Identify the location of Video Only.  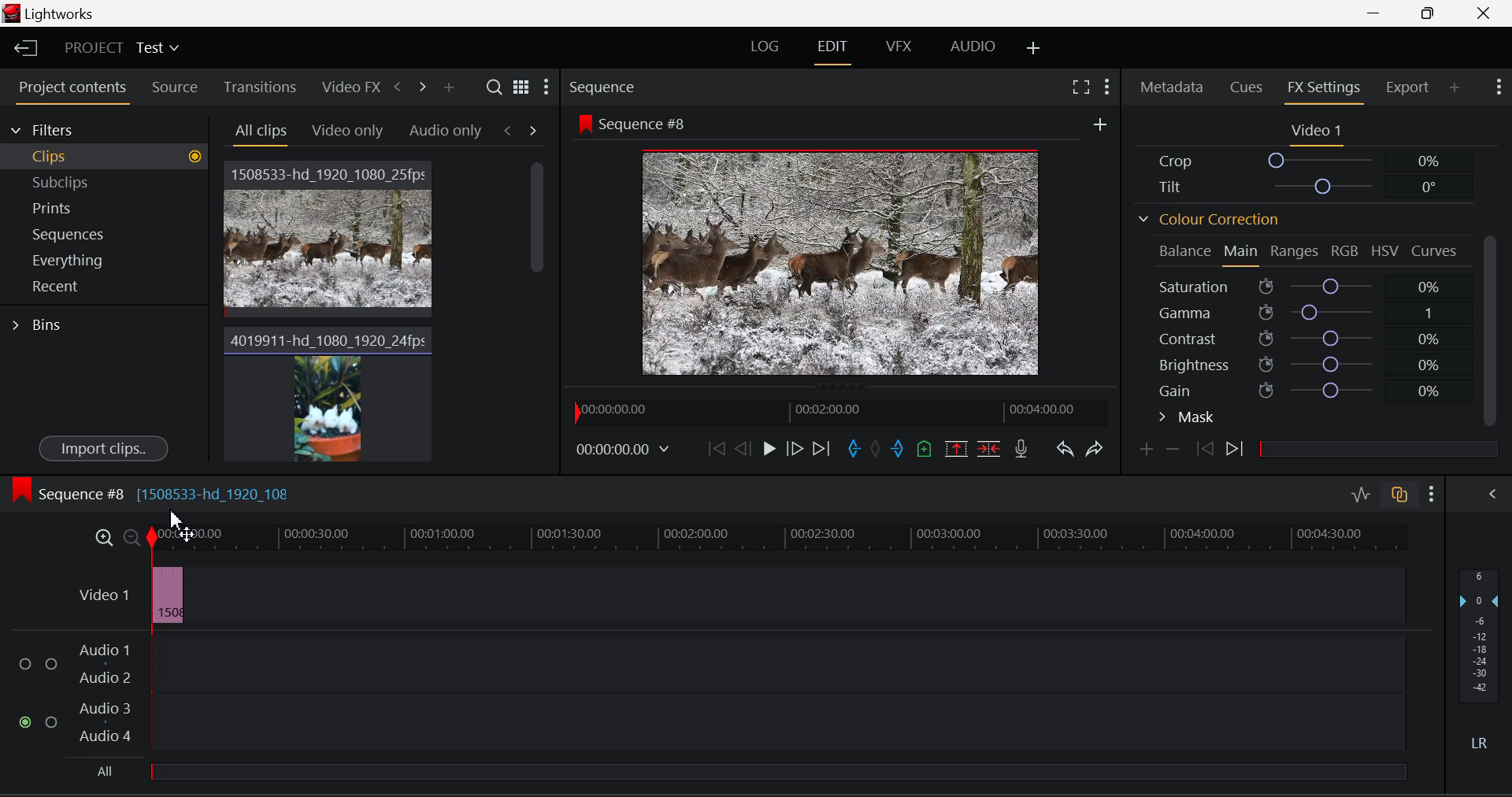
(345, 128).